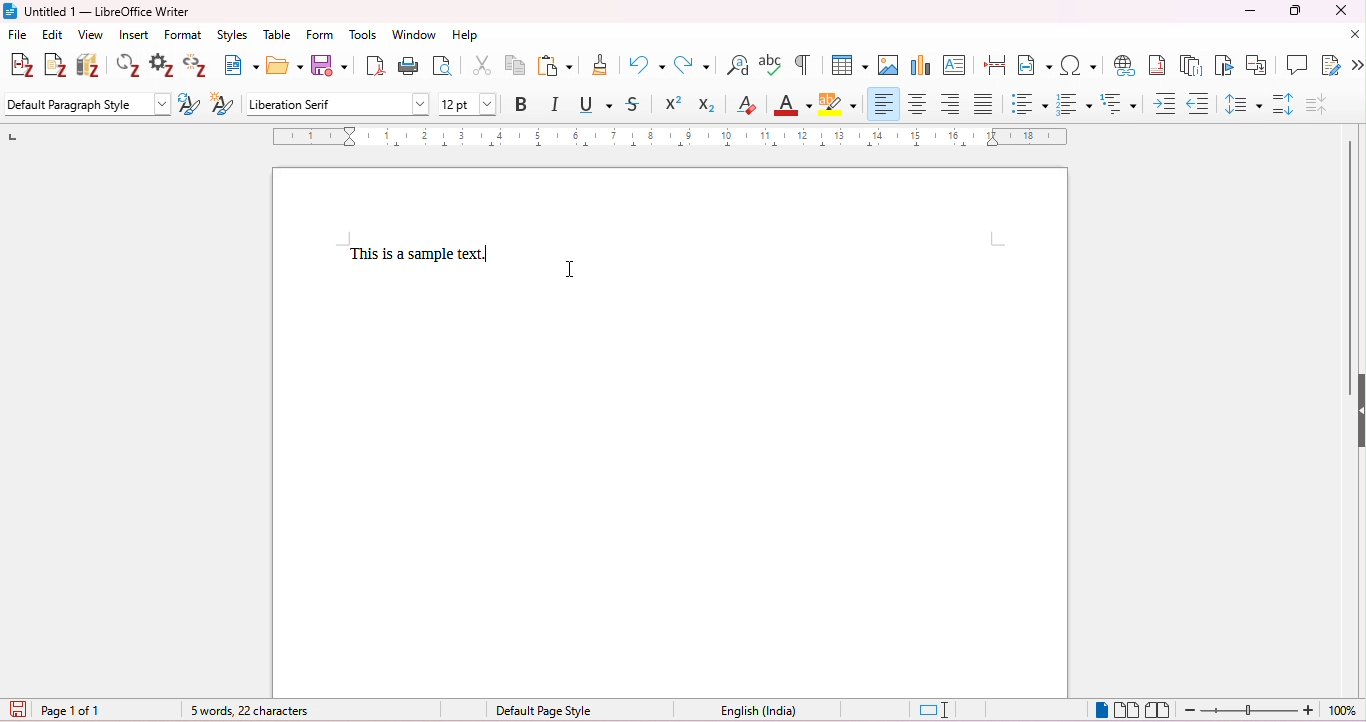  Describe the element at coordinates (130, 65) in the screenshot. I see `refresh` at that location.